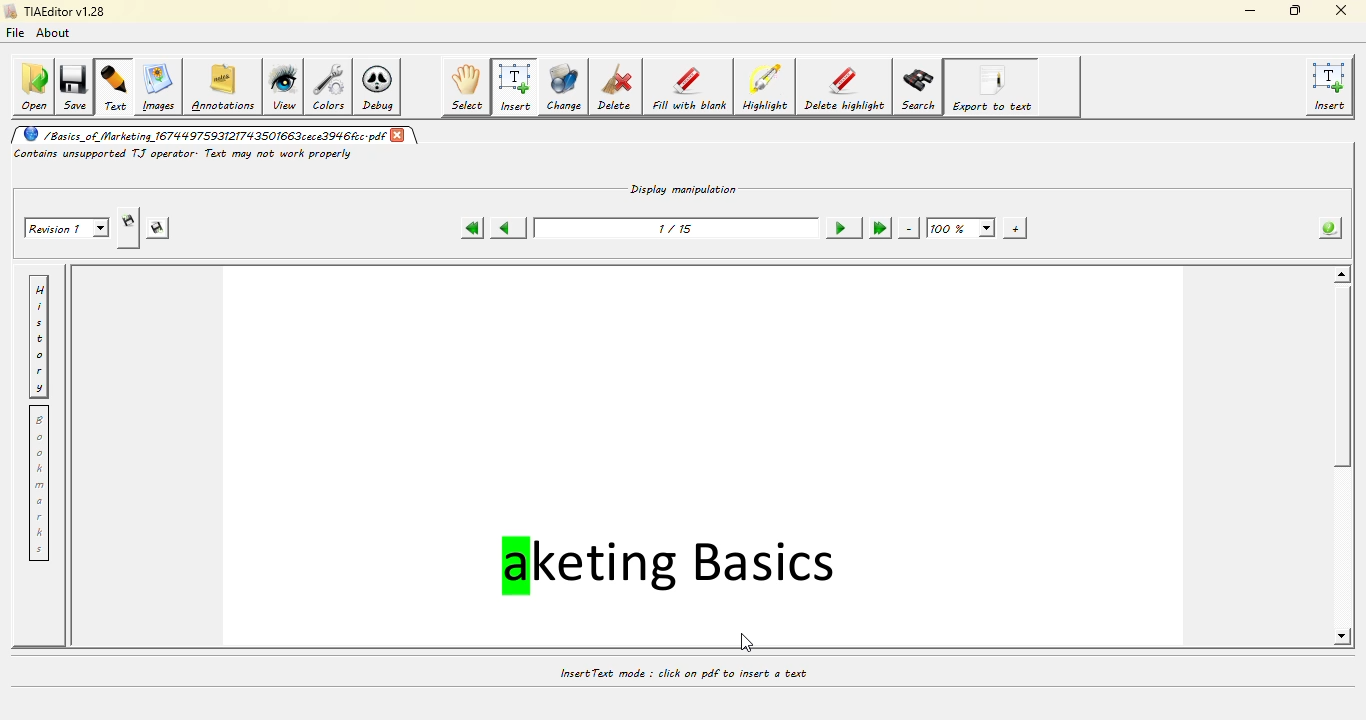  What do you see at coordinates (515, 87) in the screenshot?
I see `insert` at bounding box center [515, 87].